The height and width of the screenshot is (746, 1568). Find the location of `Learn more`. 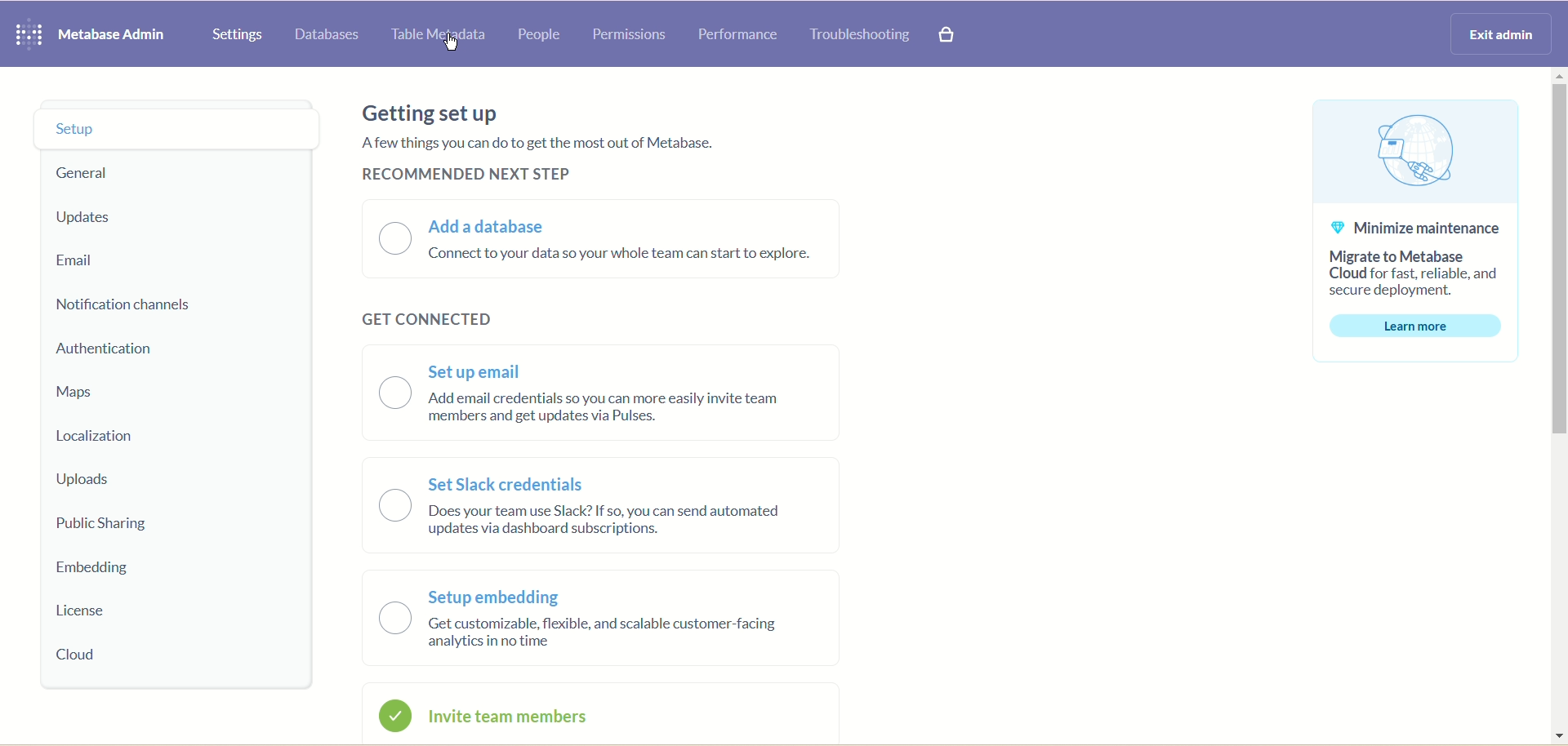

Learn more is located at coordinates (1419, 326).